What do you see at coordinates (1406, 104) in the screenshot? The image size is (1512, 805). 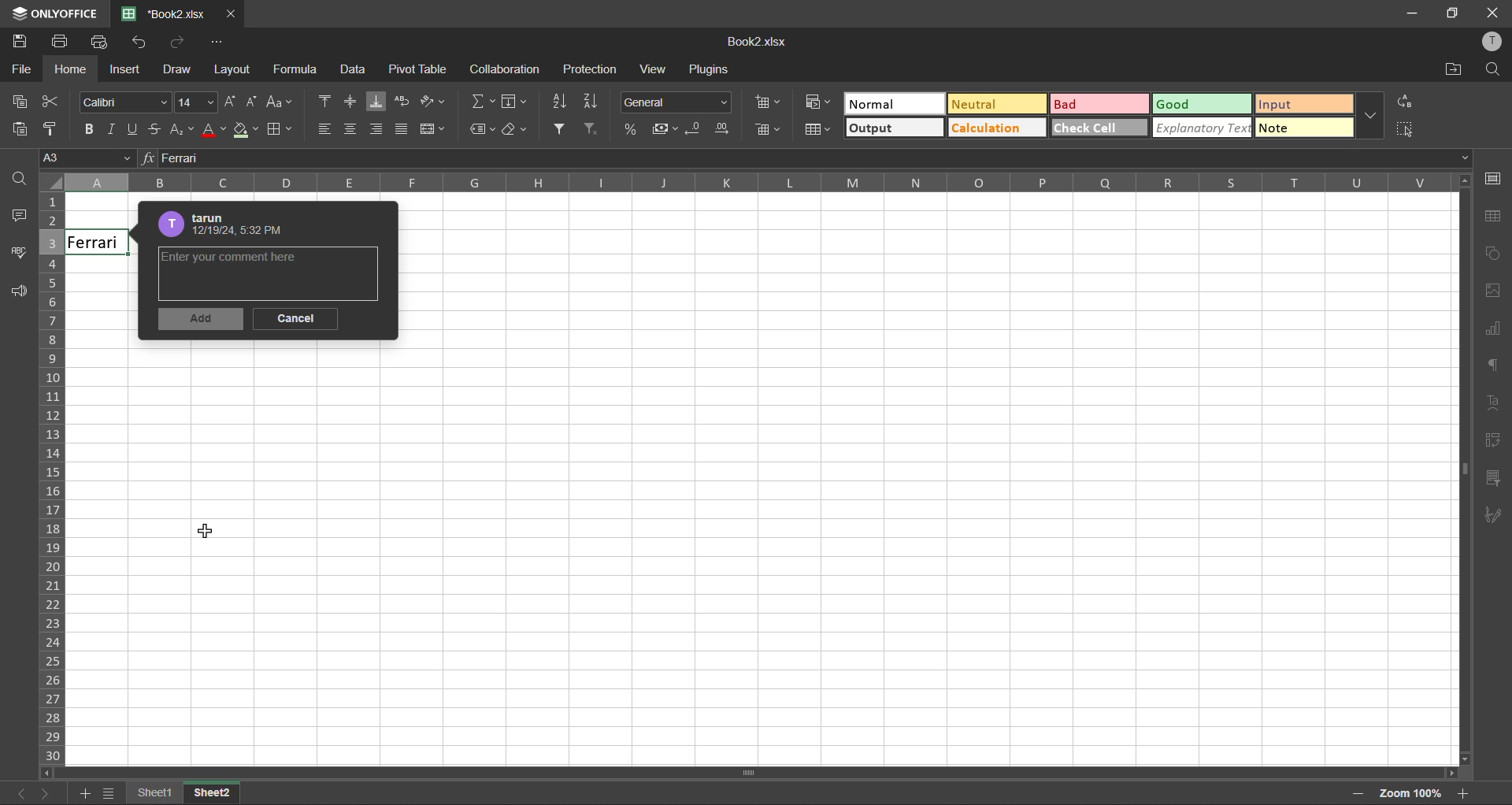 I see `replace` at bounding box center [1406, 104].